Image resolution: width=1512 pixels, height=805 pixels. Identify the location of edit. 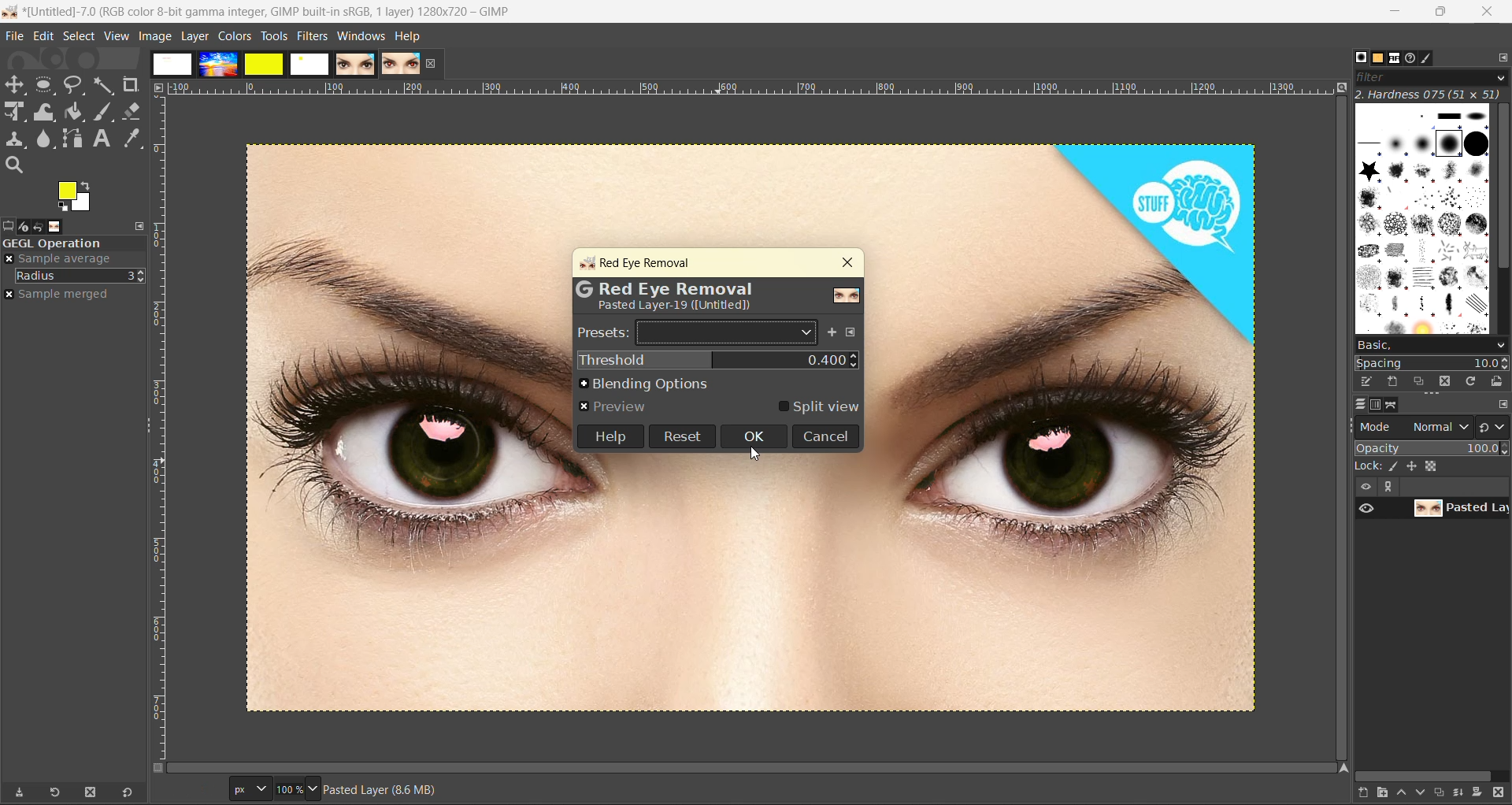
(41, 36).